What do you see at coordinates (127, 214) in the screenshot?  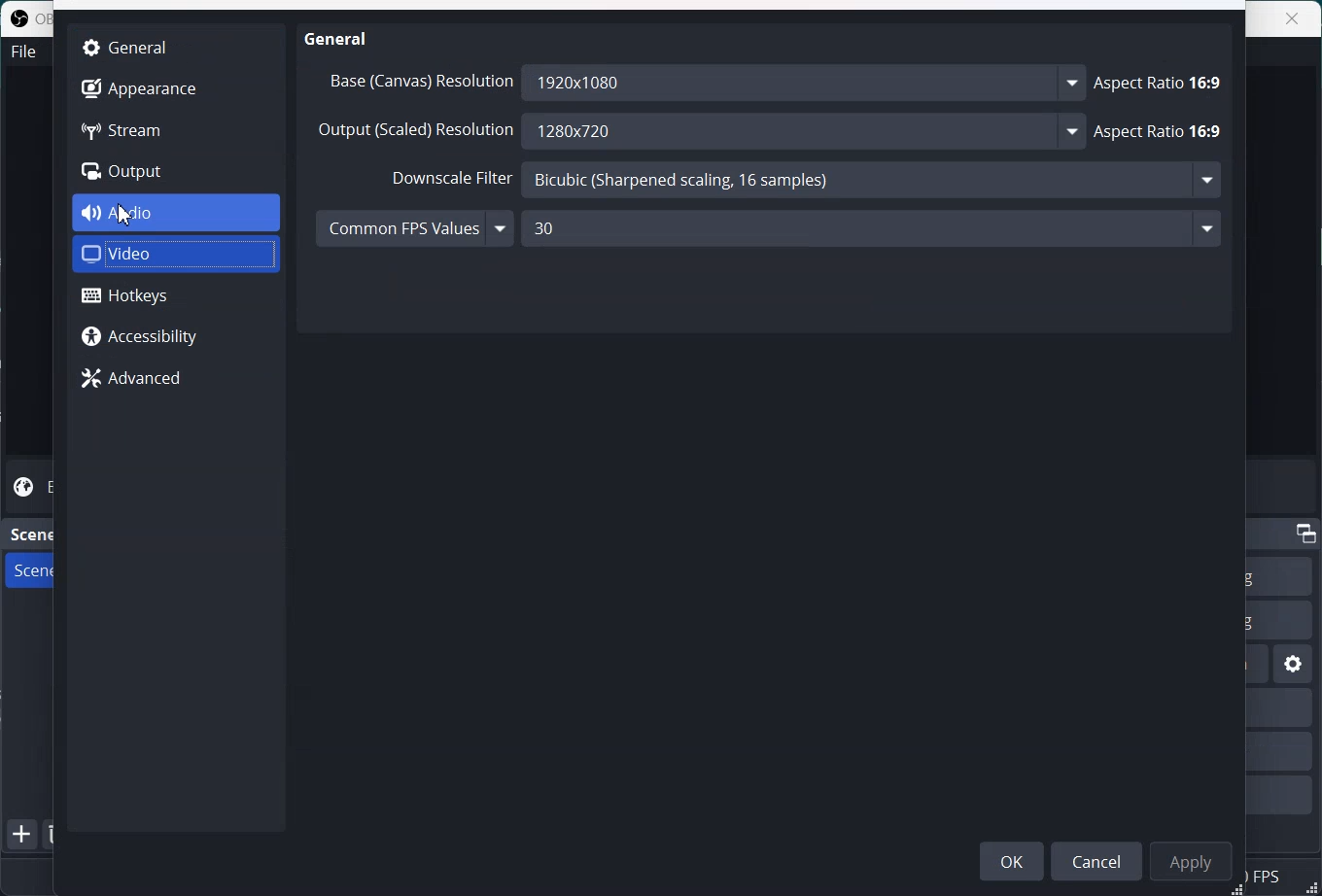 I see `Cursor` at bounding box center [127, 214].